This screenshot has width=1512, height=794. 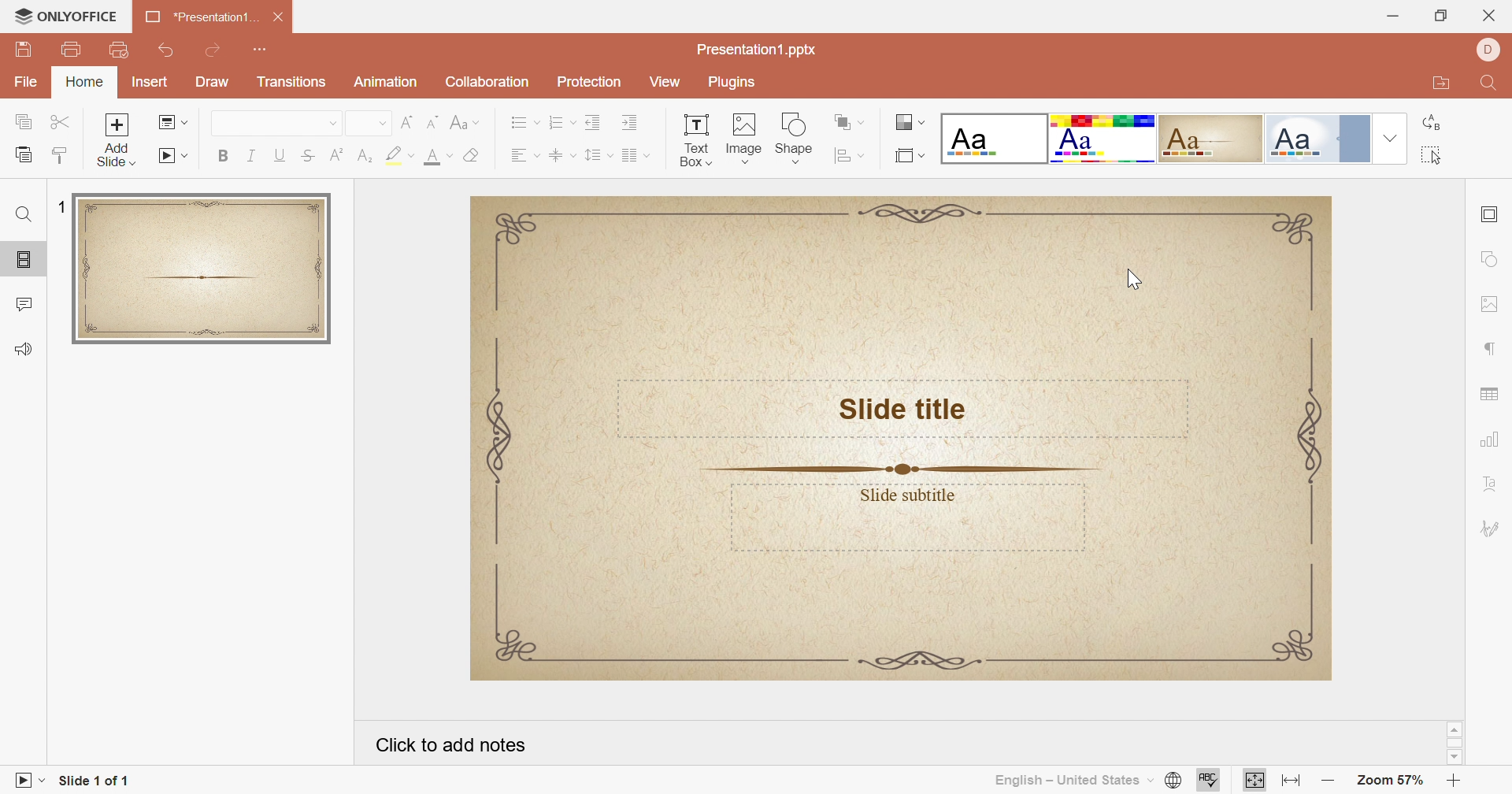 What do you see at coordinates (363, 155) in the screenshot?
I see `Subscript` at bounding box center [363, 155].